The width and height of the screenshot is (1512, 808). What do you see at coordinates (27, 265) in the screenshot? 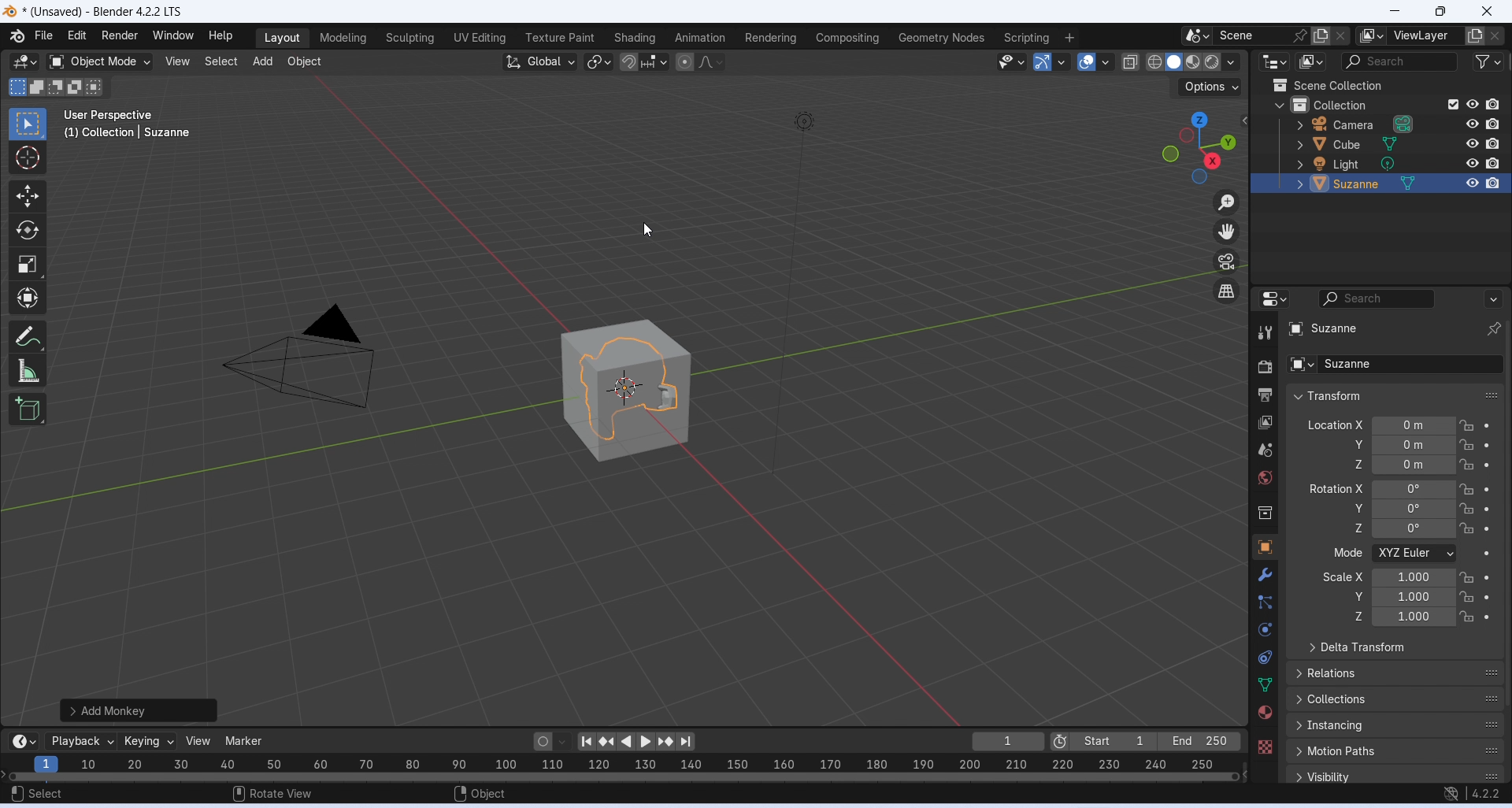
I see `Scale` at bounding box center [27, 265].